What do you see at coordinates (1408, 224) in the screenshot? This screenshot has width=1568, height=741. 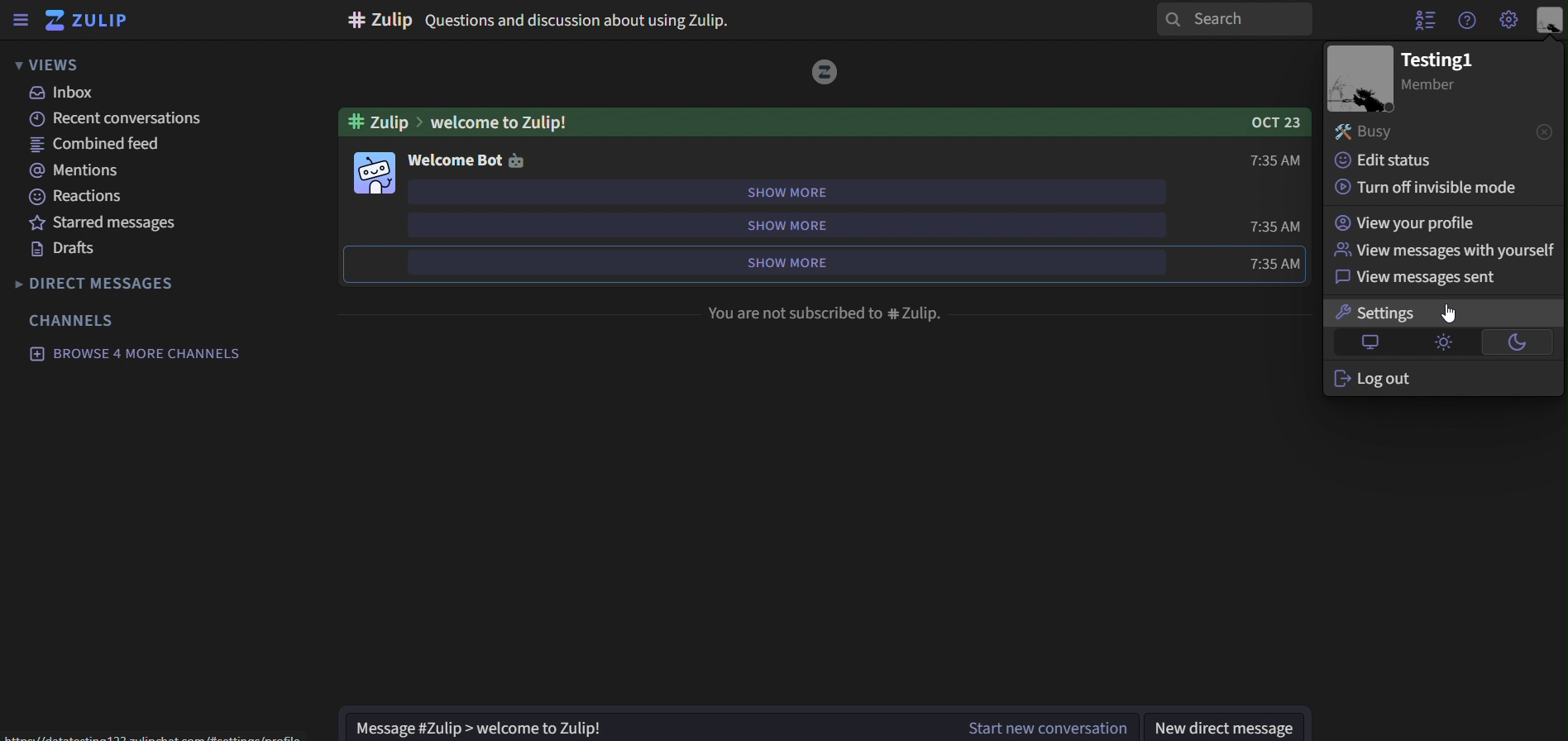 I see `view your profile` at bounding box center [1408, 224].